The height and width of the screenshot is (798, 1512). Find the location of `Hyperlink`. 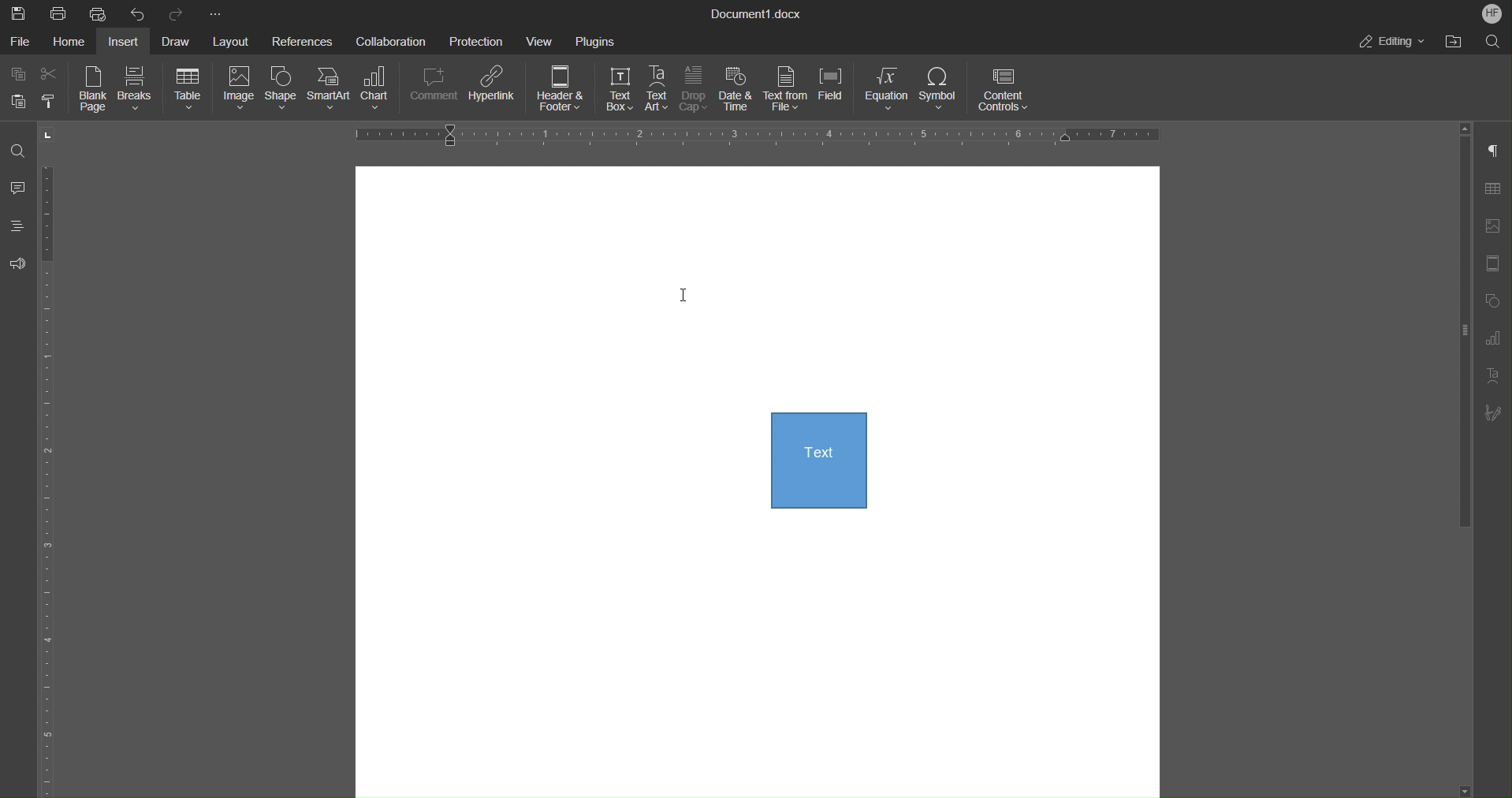

Hyperlink is located at coordinates (495, 91).